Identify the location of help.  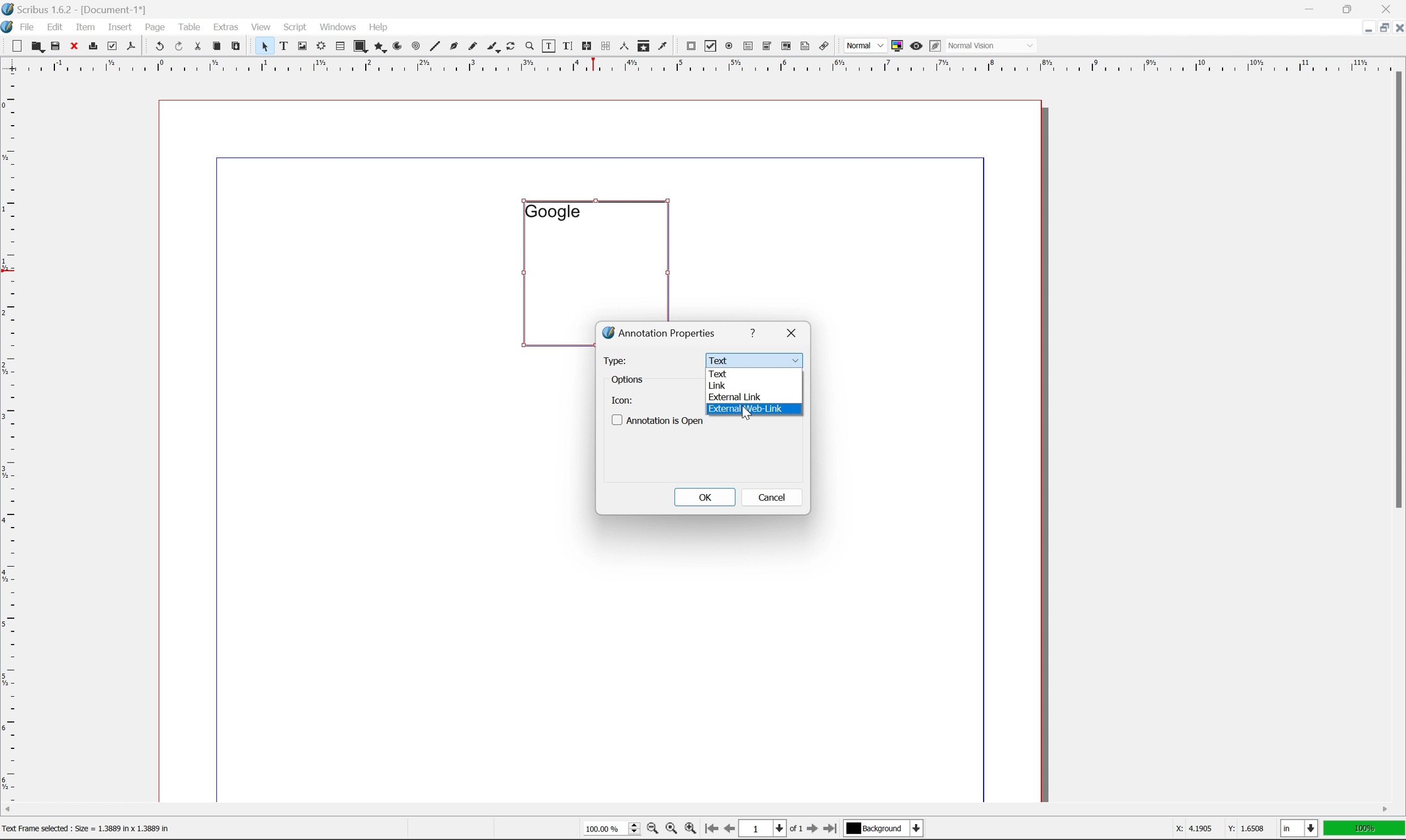
(378, 27).